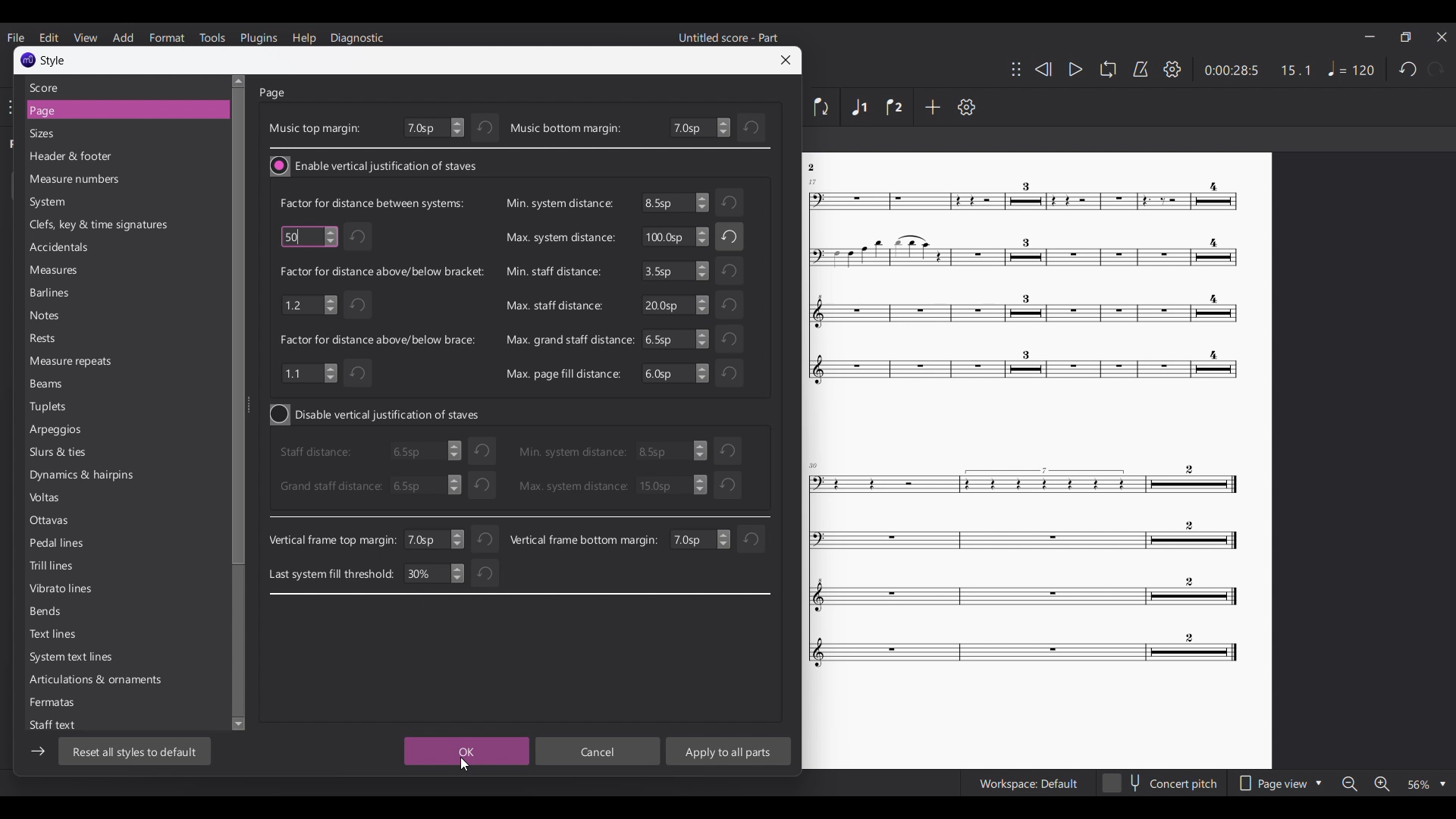 This screenshot has height=819, width=1456. Describe the element at coordinates (80, 544) in the screenshot. I see `Pedal lines` at that location.